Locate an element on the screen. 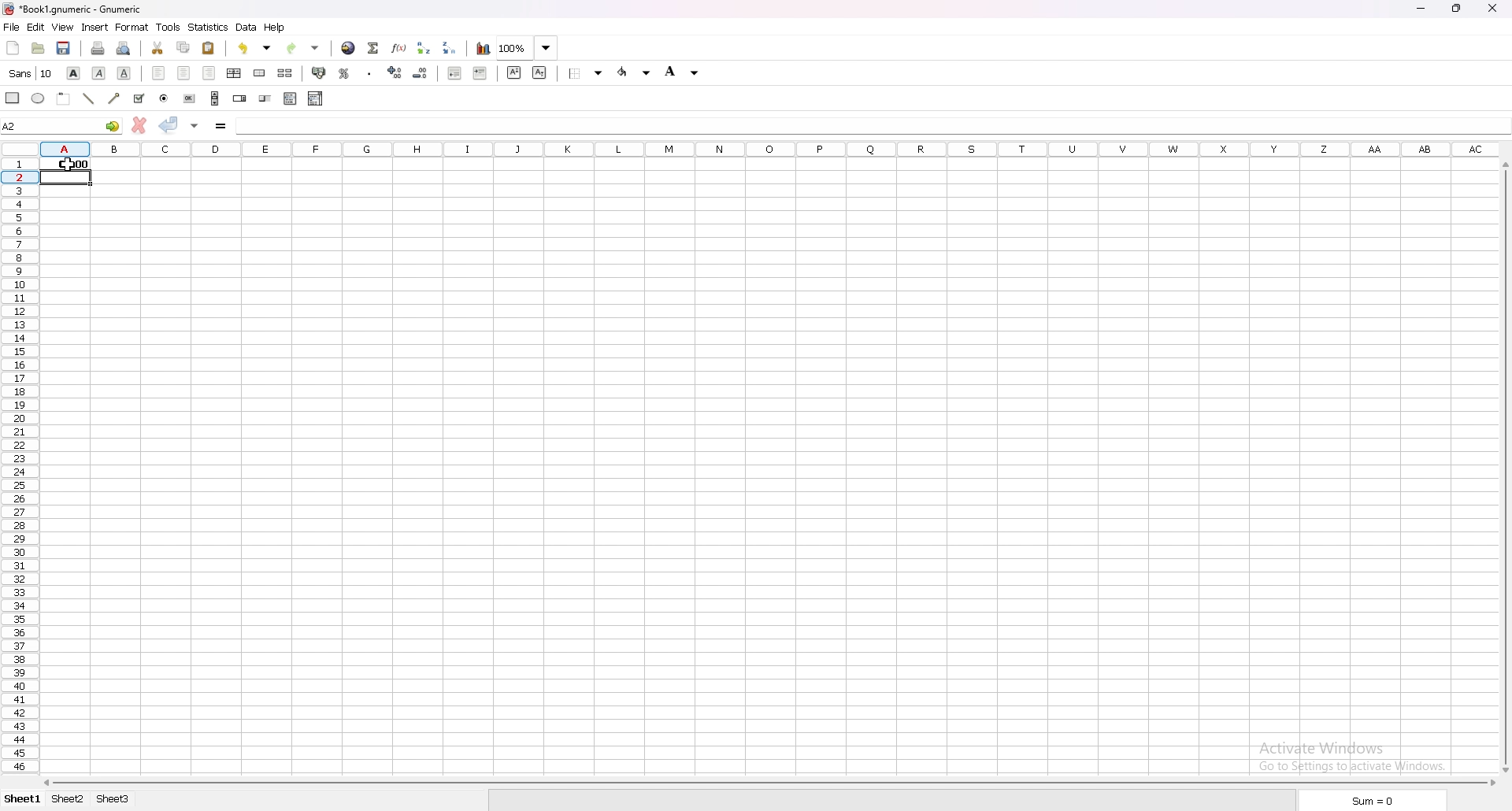 The height and width of the screenshot is (811, 1512). cancel change is located at coordinates (140, 125).